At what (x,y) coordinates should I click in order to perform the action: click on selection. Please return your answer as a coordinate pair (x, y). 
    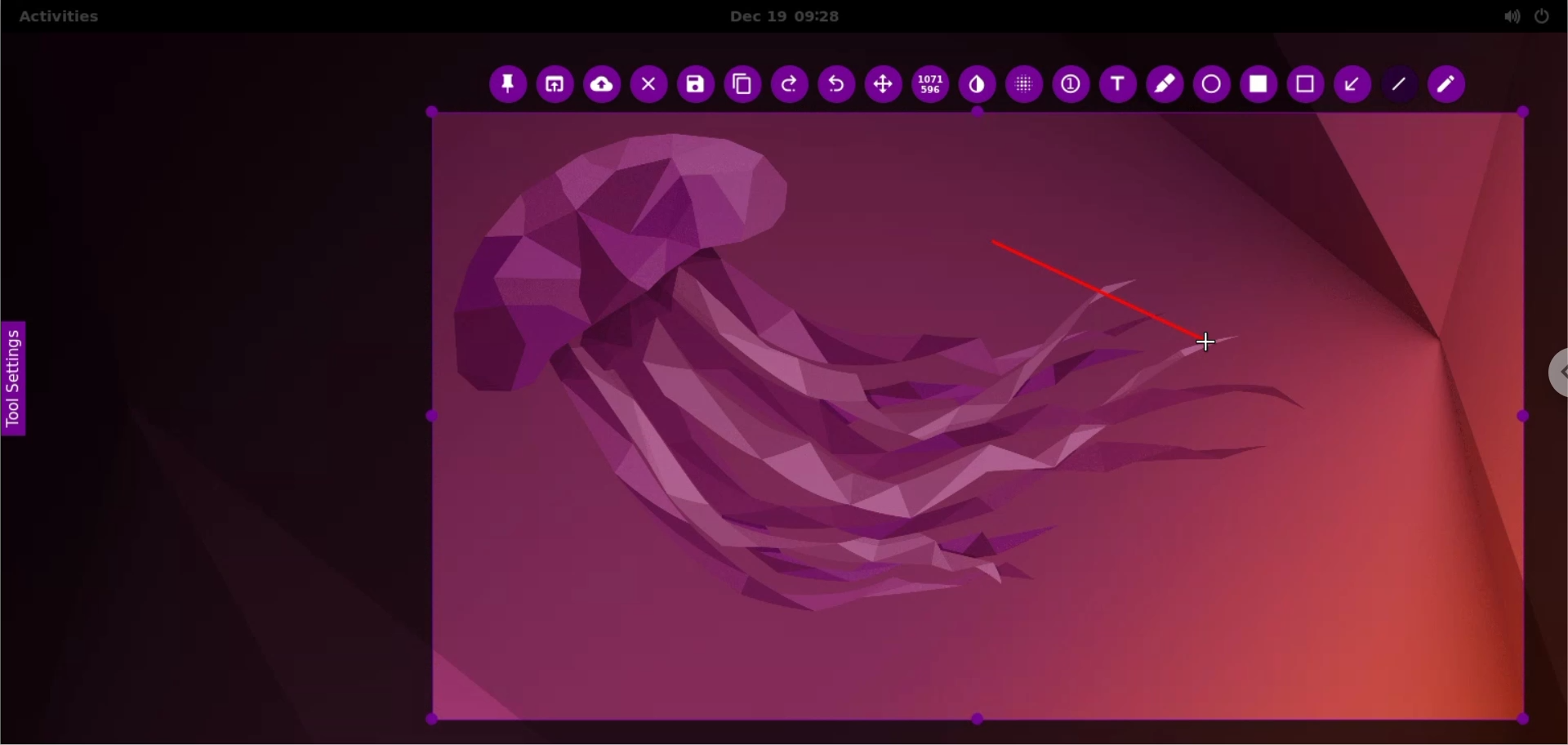
    Looking at the image, I should click on (1261, 86).